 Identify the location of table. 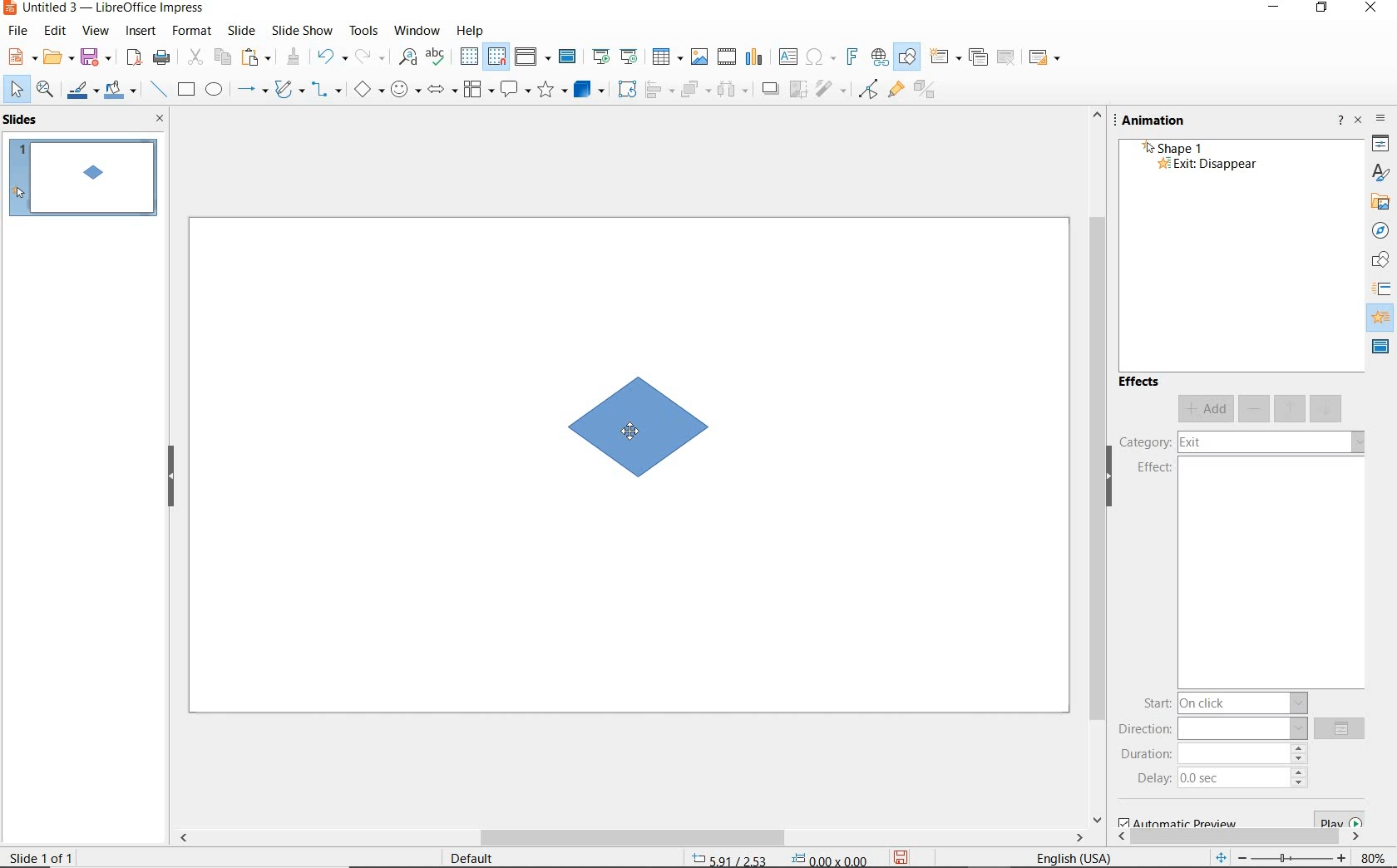
(669, 57).